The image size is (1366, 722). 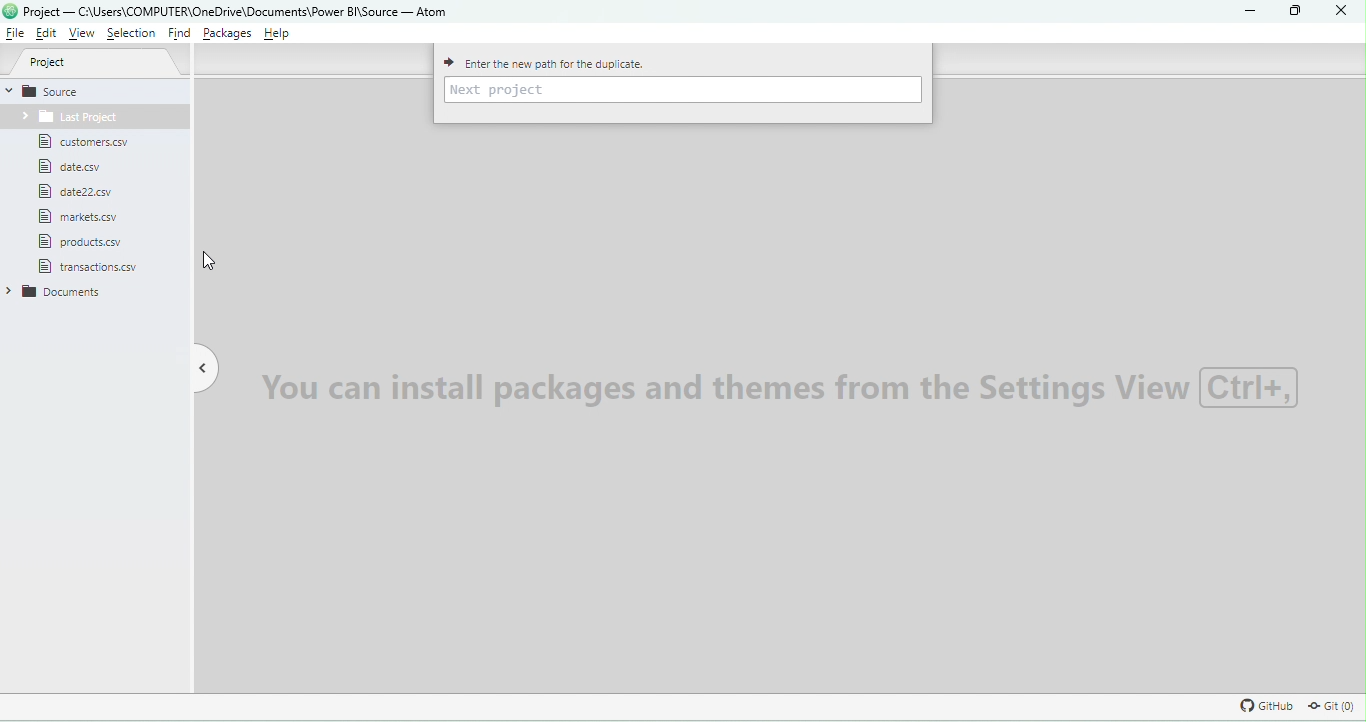 What do you see at coordinates (1264, 705) in the screenshot?
I see `GitHub` at bounding box center [1264, 705].